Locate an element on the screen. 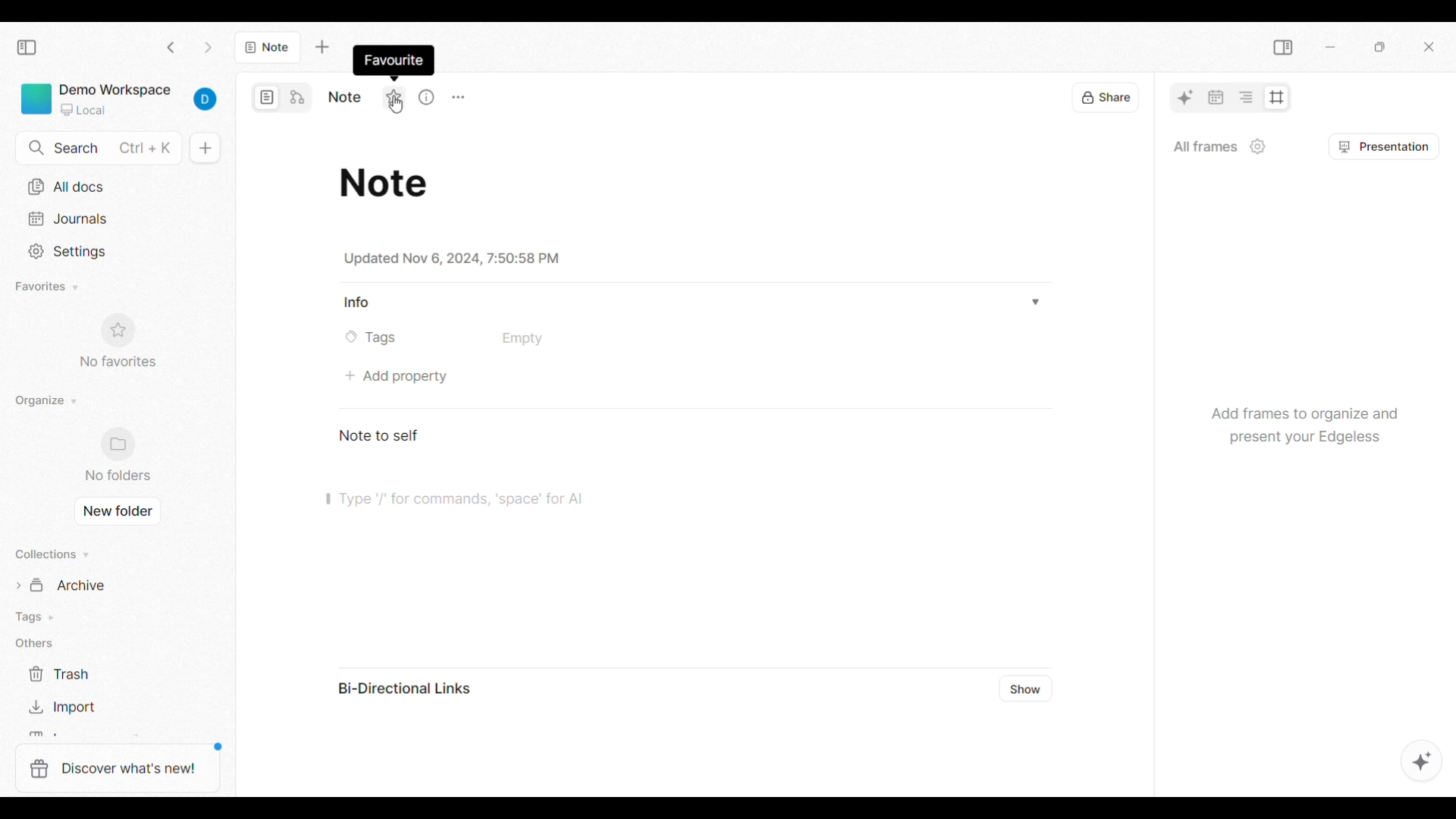 This screenshot has width=1456, height=819. Empty is located at coordinates (522, 339).